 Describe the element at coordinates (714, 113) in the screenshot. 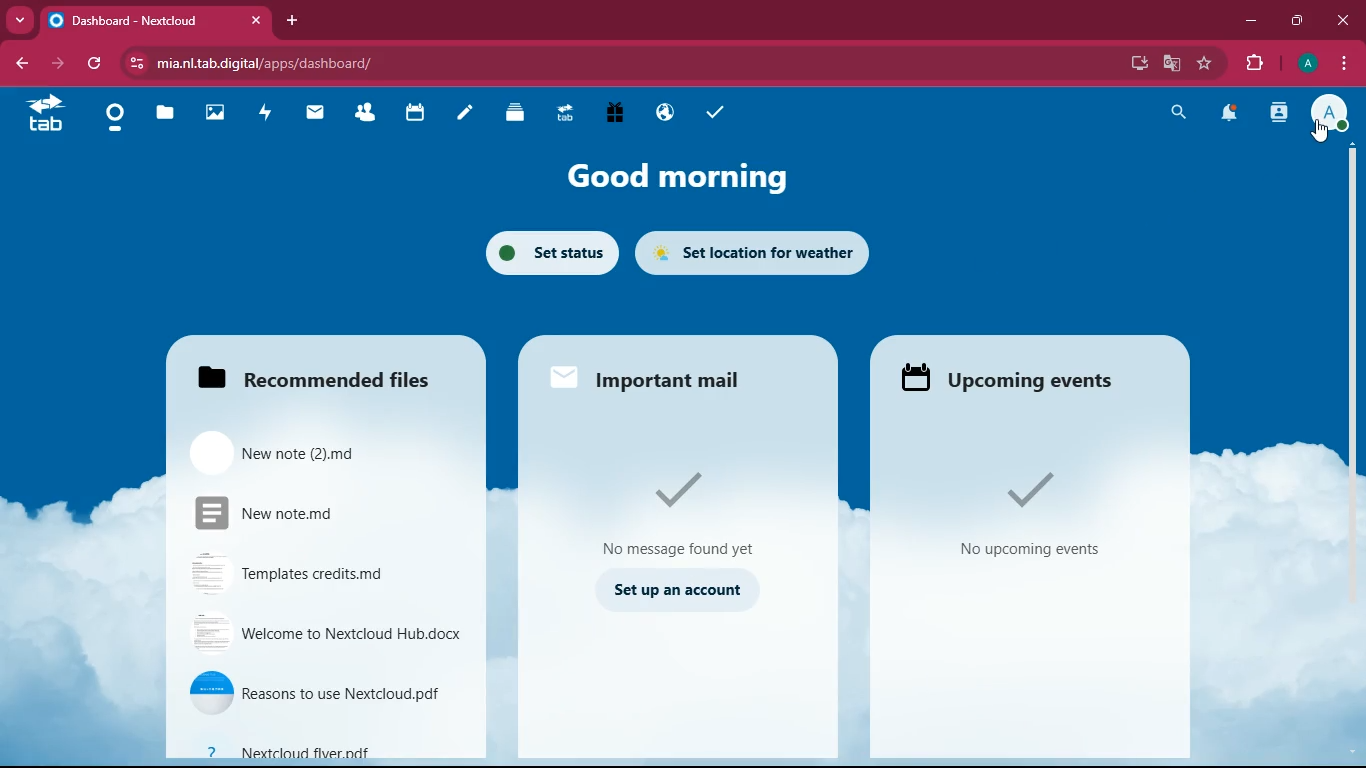

I see `tasks` at that location.